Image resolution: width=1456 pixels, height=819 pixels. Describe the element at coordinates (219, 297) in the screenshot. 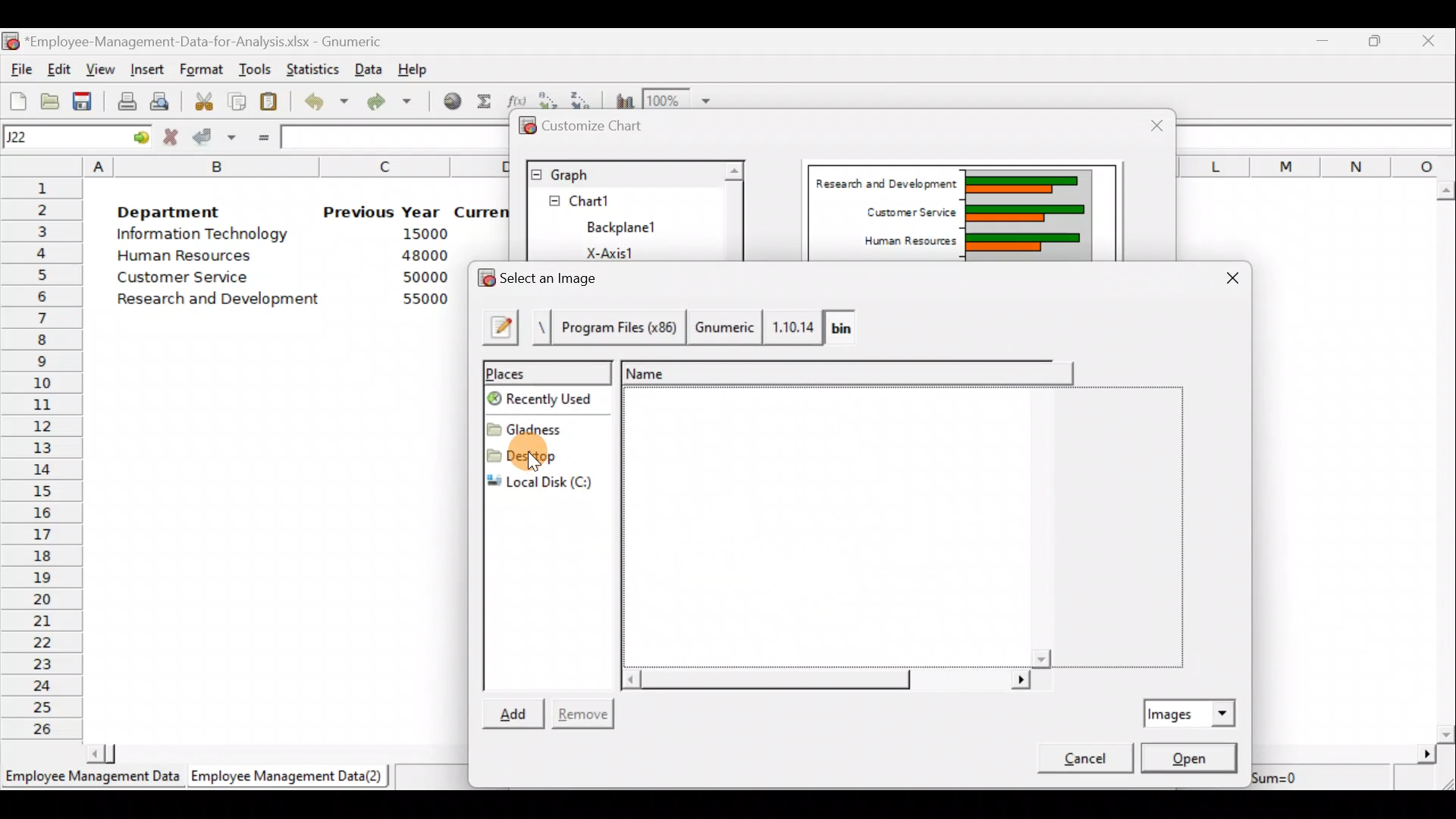

I see `Research and development` at that location.